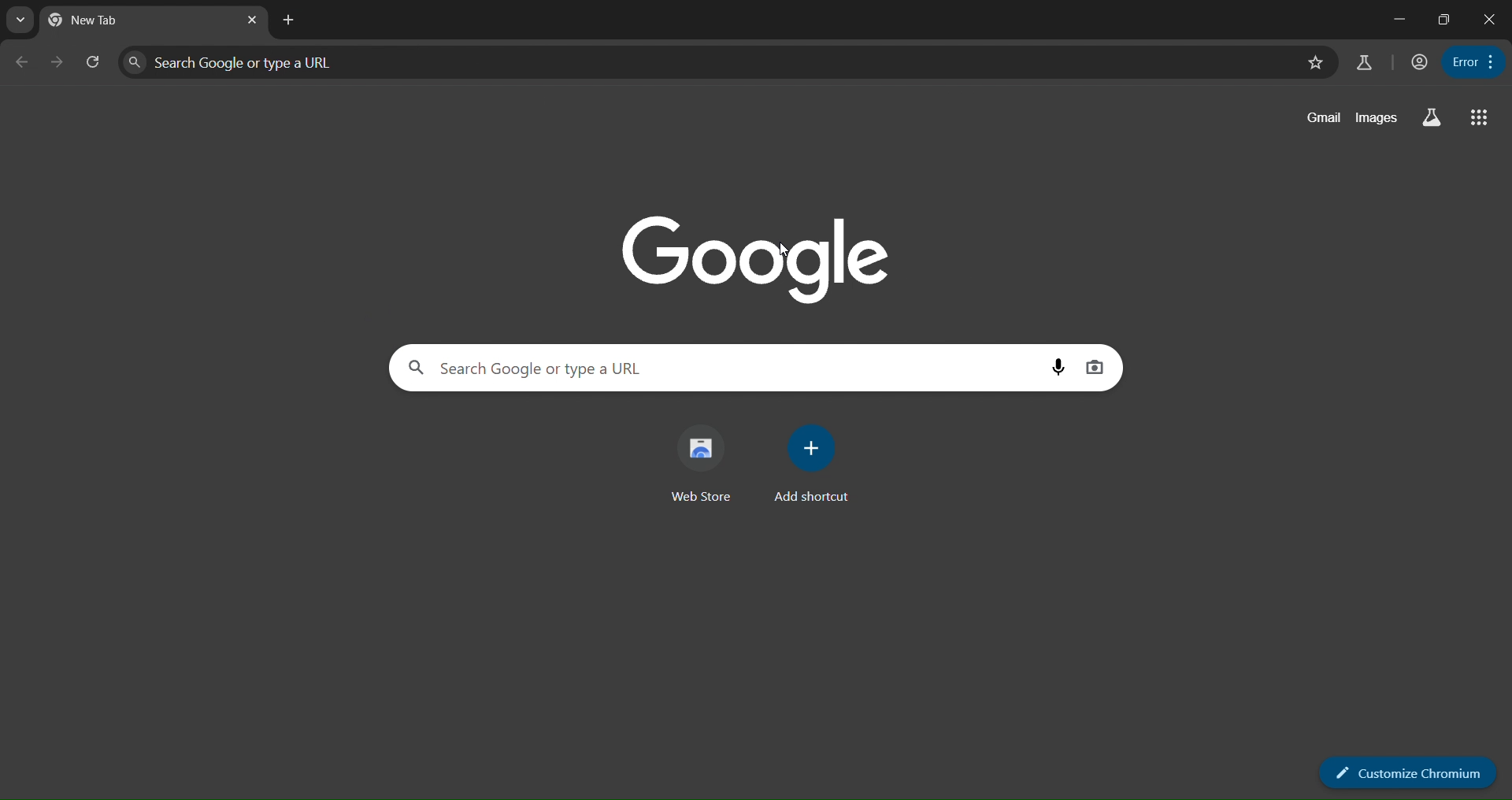  What do you see at coordinates (253, 19) in the screenshot?
I see `close tab` at bounding box center [253, 19].